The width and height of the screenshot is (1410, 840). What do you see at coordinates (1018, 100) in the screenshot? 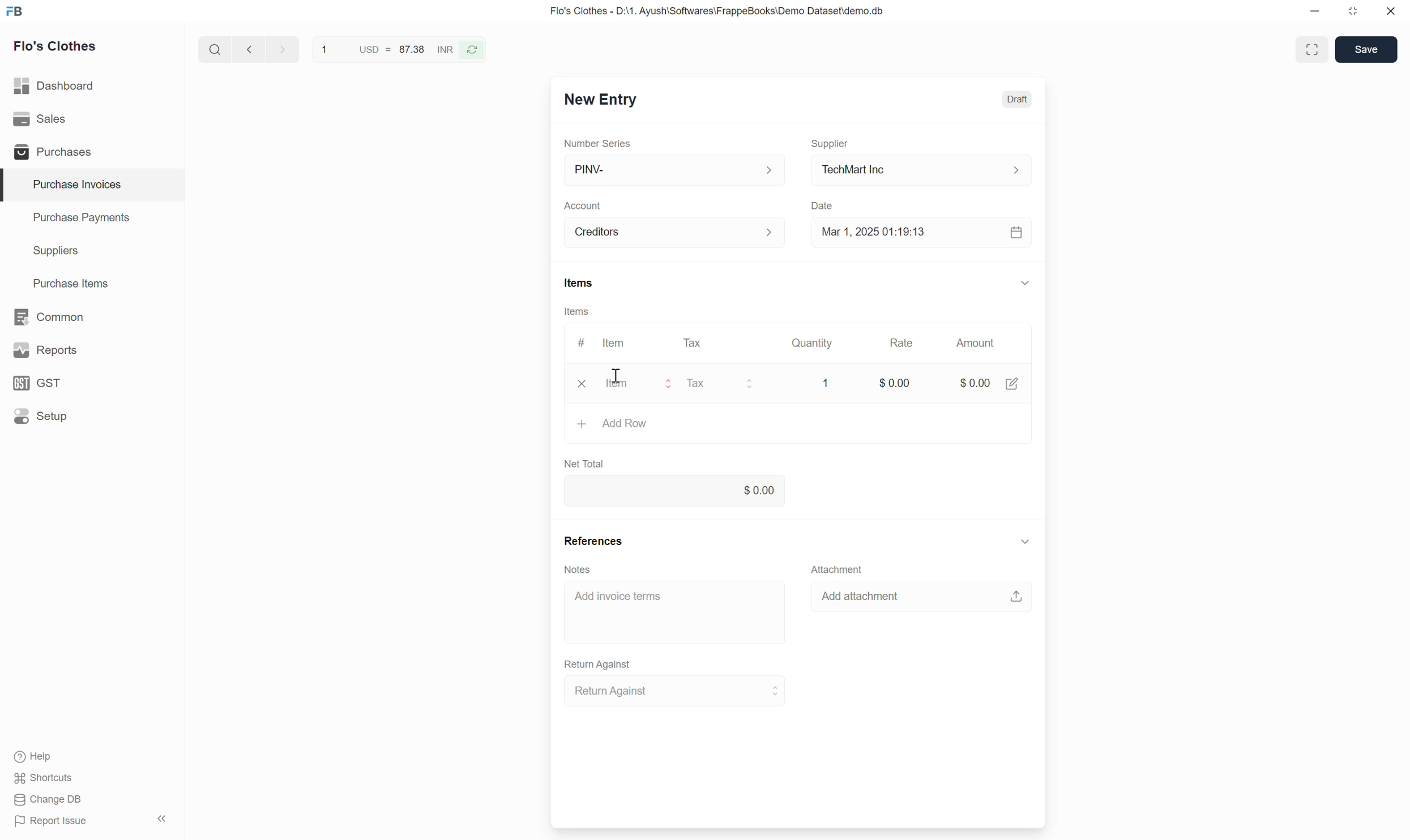
I see `Draft` at bounding box center [1018, 100].